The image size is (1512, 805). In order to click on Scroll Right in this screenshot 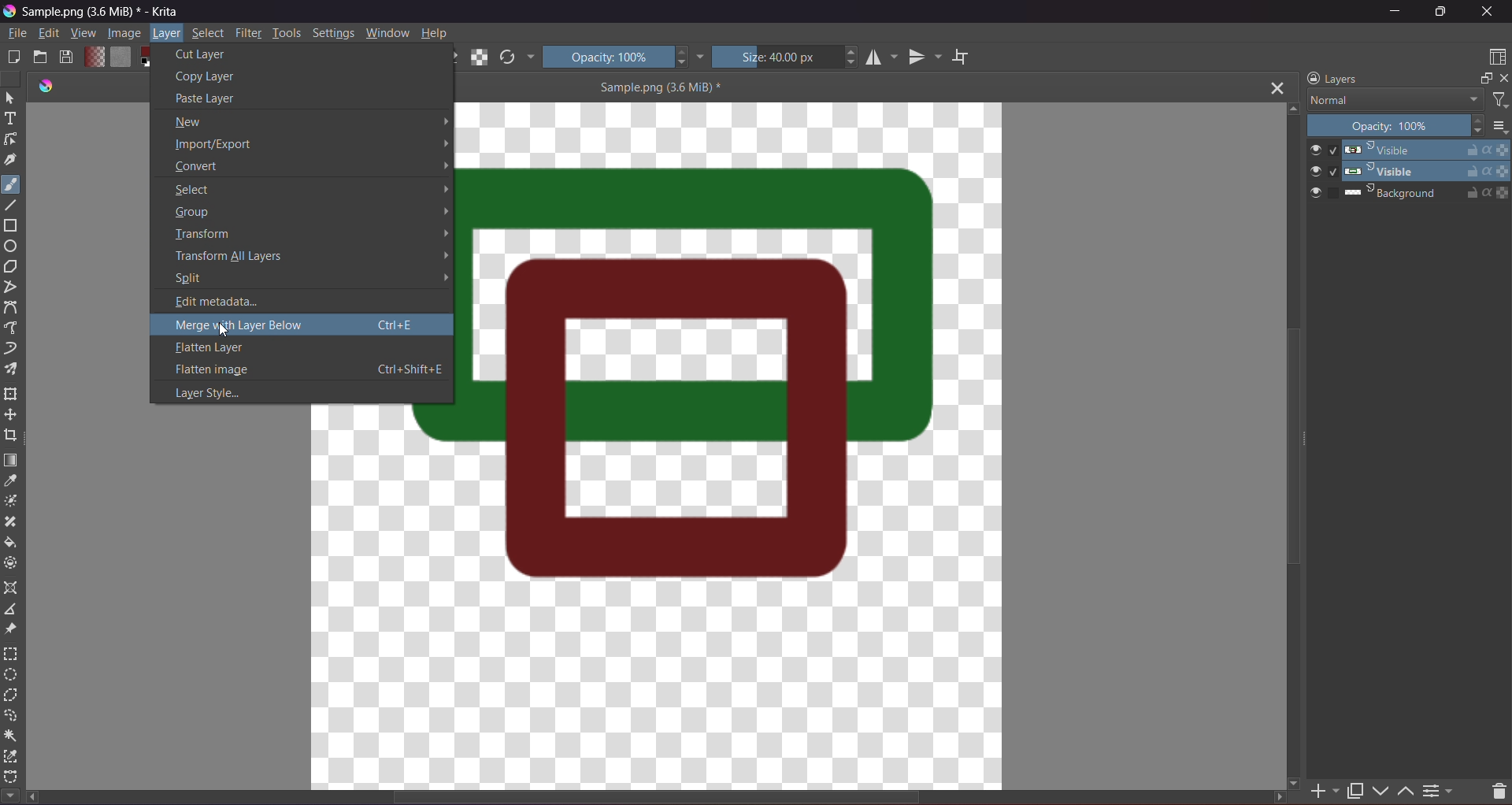, I will do `click(1299, 781)`.